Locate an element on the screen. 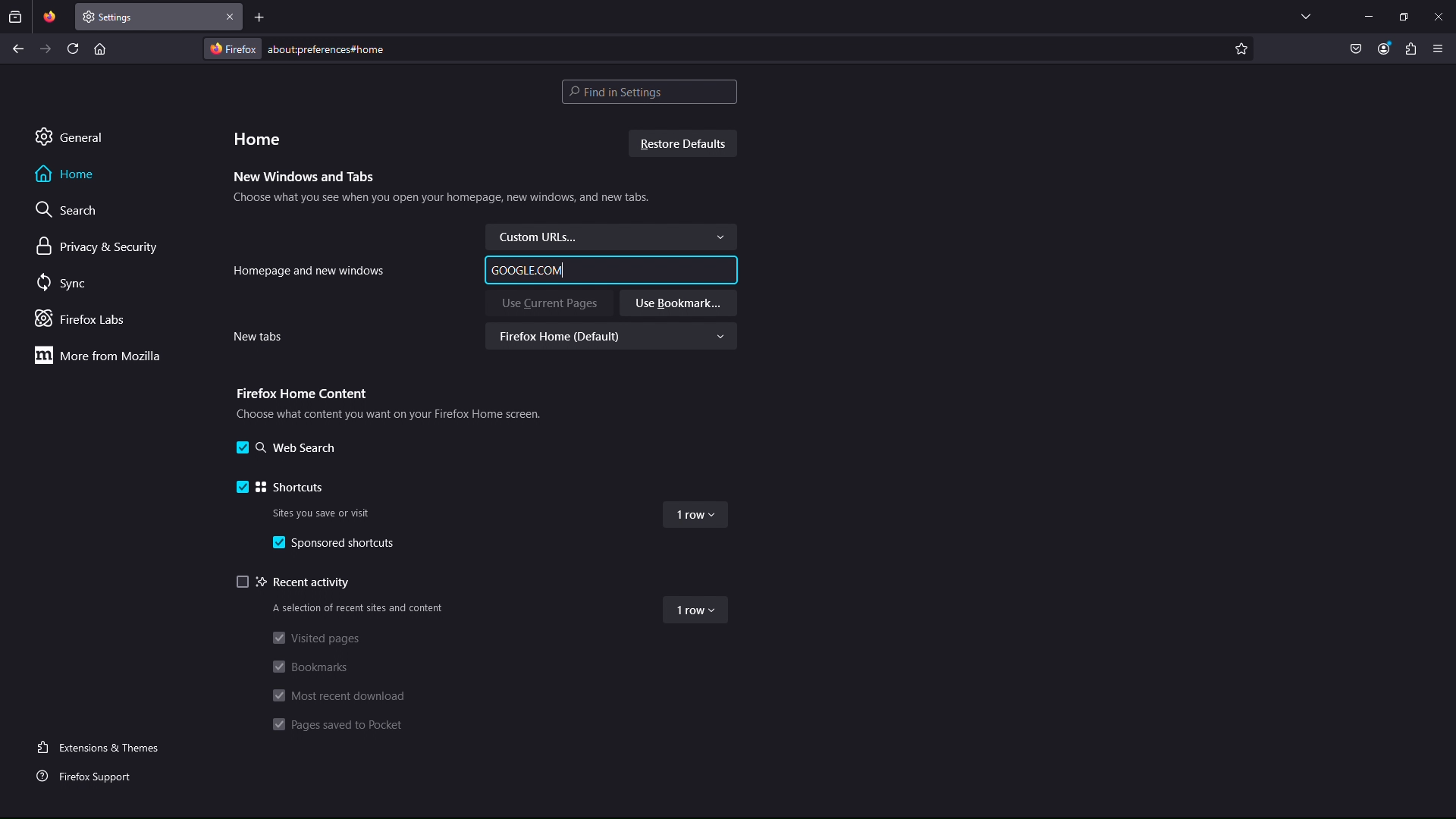 The image size is (1456, 819). Firefox Home Content is located at coordinates (300, 392).